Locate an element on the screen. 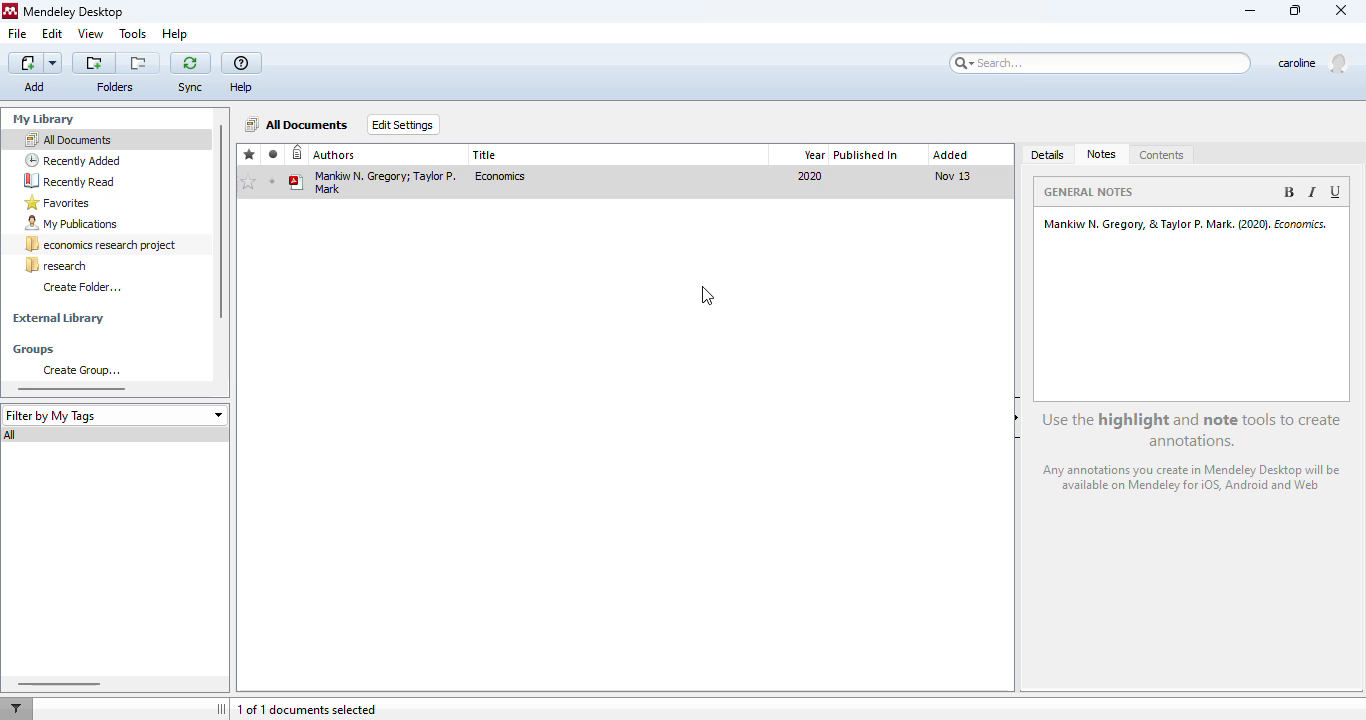 Image resolution: width=1366 pixels, height=720 pixels. toggle sidebar is located at coordinates (223, 709).